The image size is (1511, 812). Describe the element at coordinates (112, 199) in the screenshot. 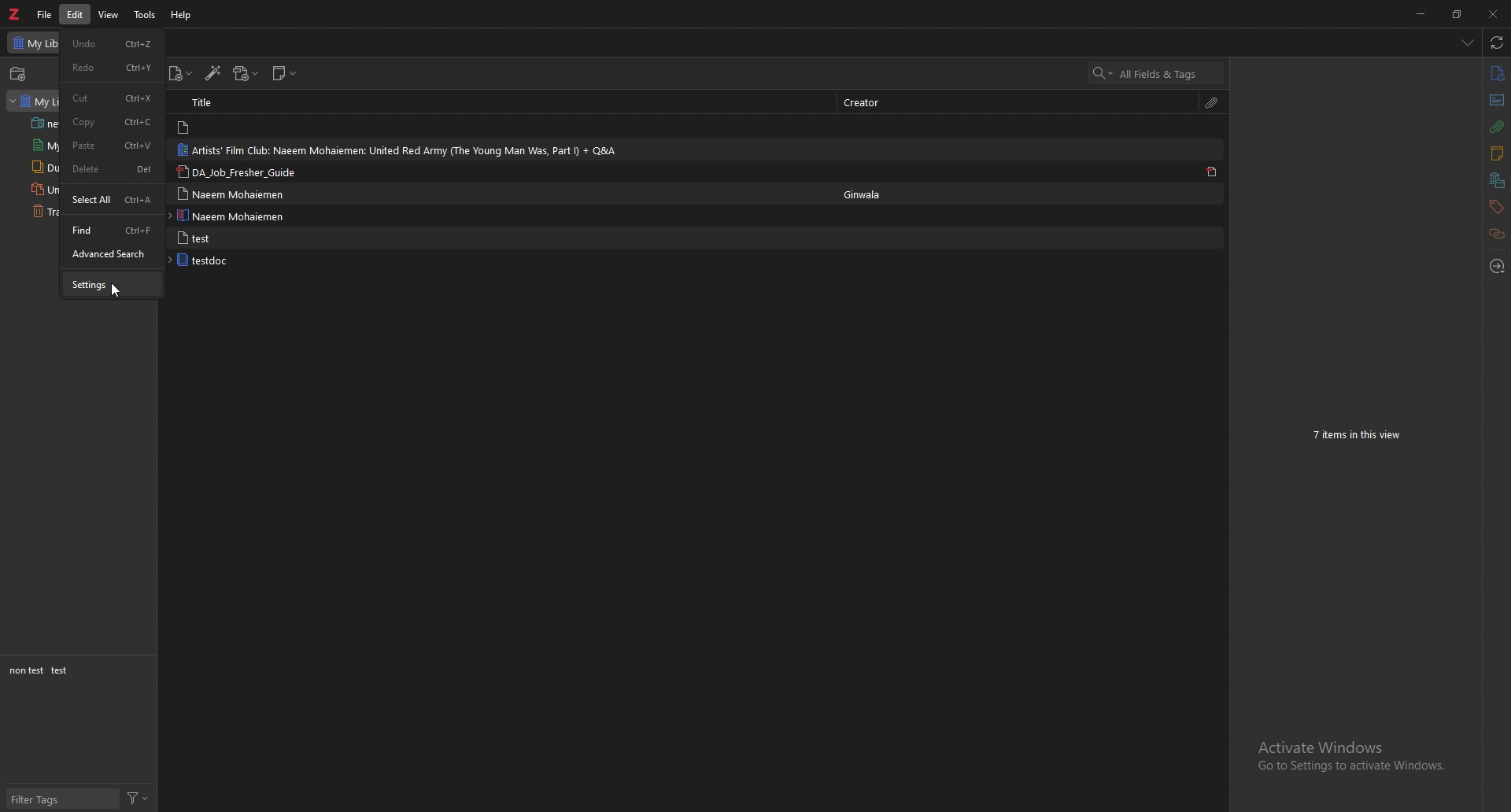

I see `select all` at that location.